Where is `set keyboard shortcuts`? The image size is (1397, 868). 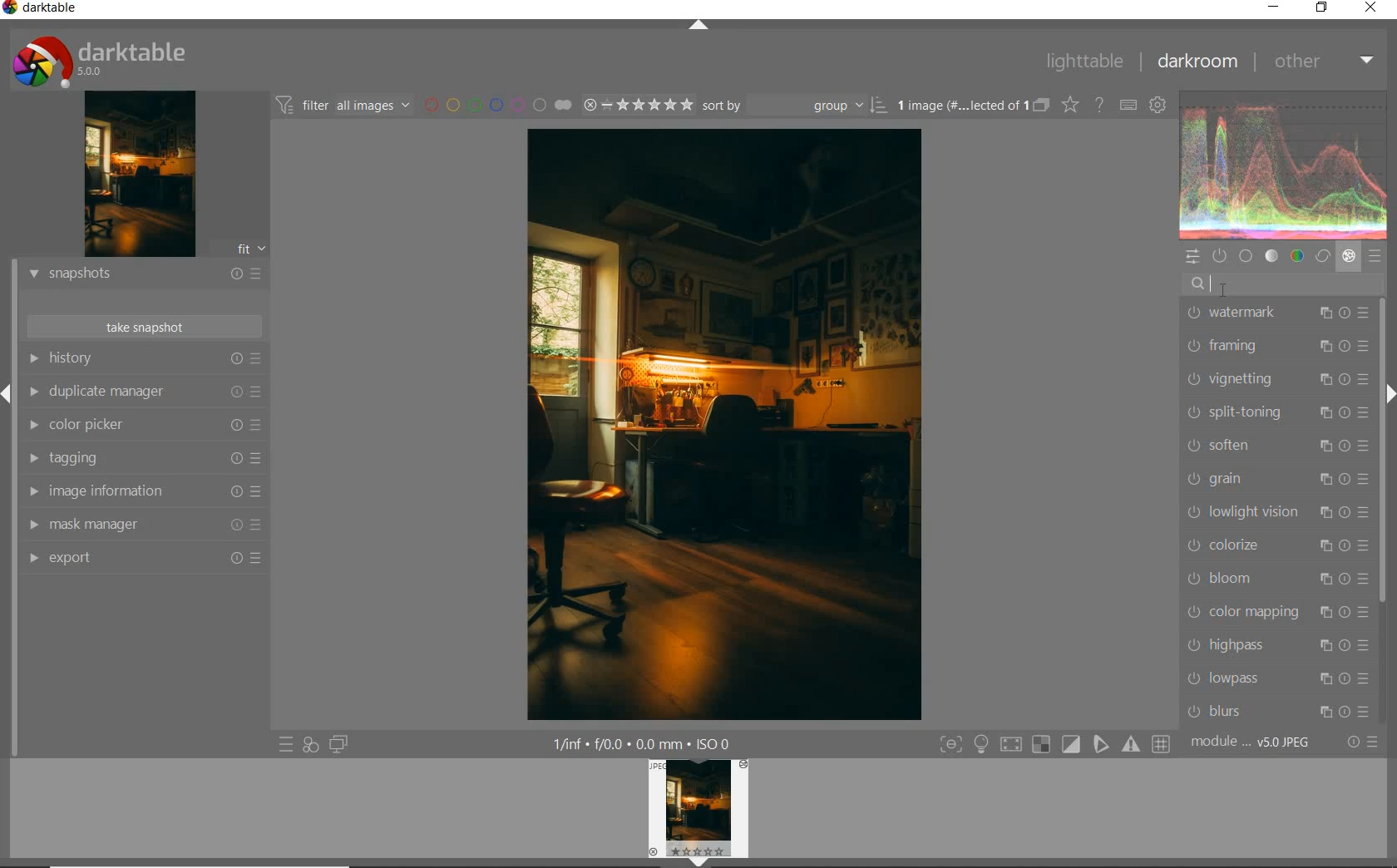
set keyboard shortcuts is located at coordinates (1129, 106).